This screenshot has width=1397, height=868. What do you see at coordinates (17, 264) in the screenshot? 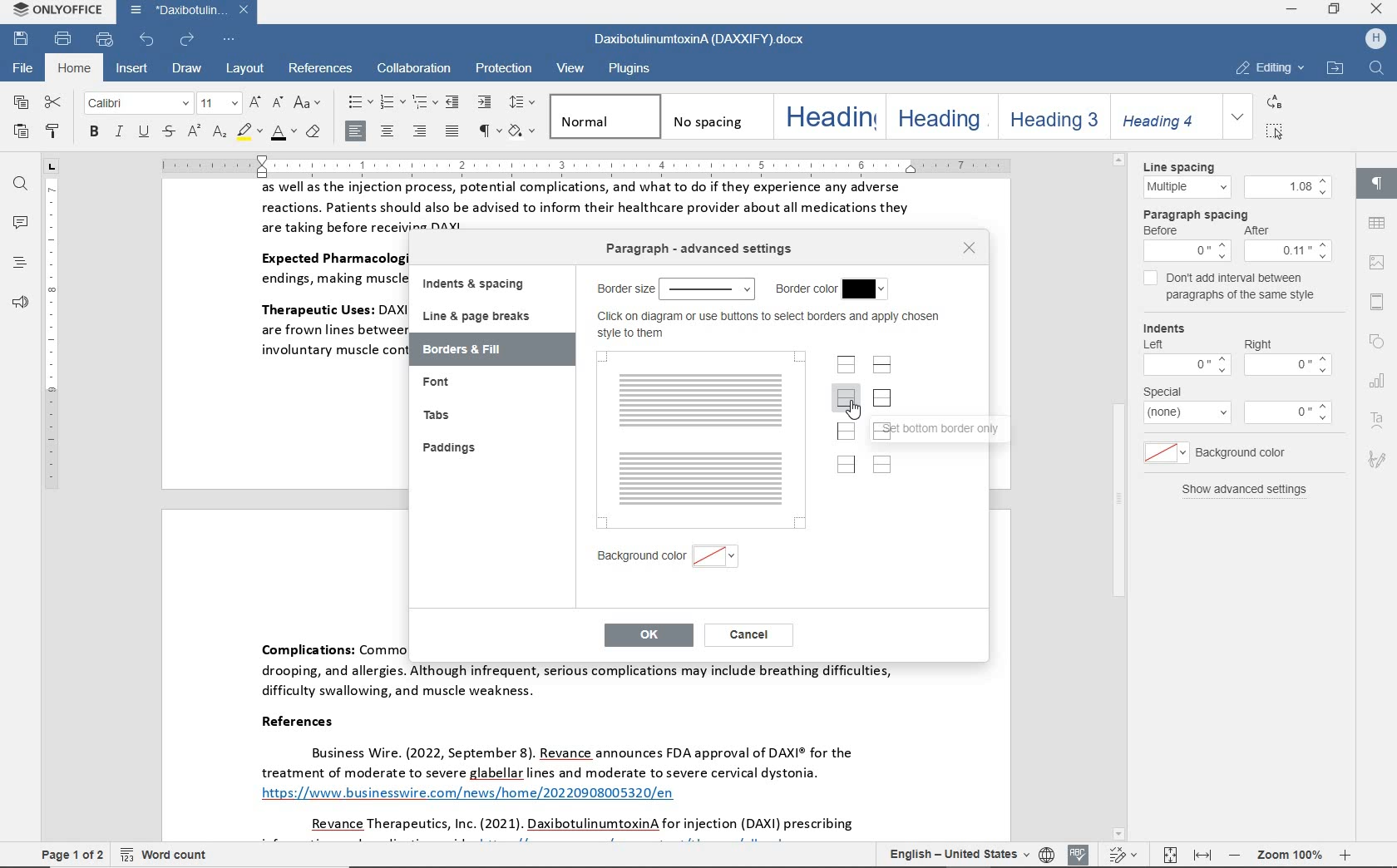
I see `headings` at bounding box center [17, 264].